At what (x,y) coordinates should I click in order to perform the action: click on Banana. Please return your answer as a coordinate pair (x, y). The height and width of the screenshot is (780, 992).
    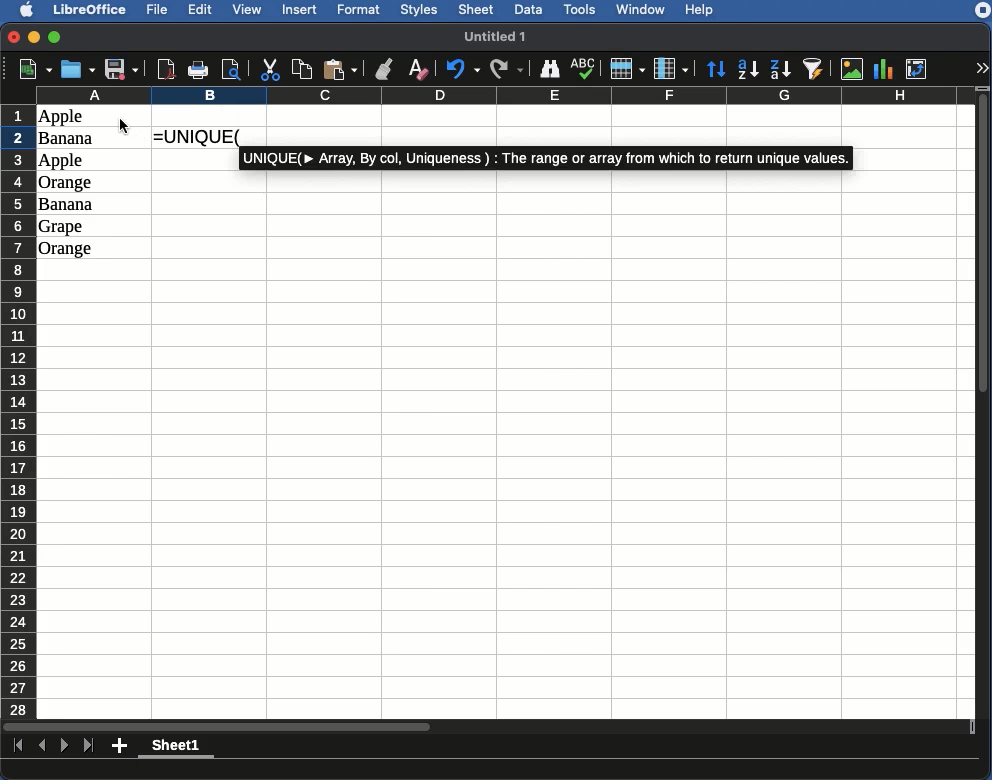
    Looking at the image, I should click on (71, 139).